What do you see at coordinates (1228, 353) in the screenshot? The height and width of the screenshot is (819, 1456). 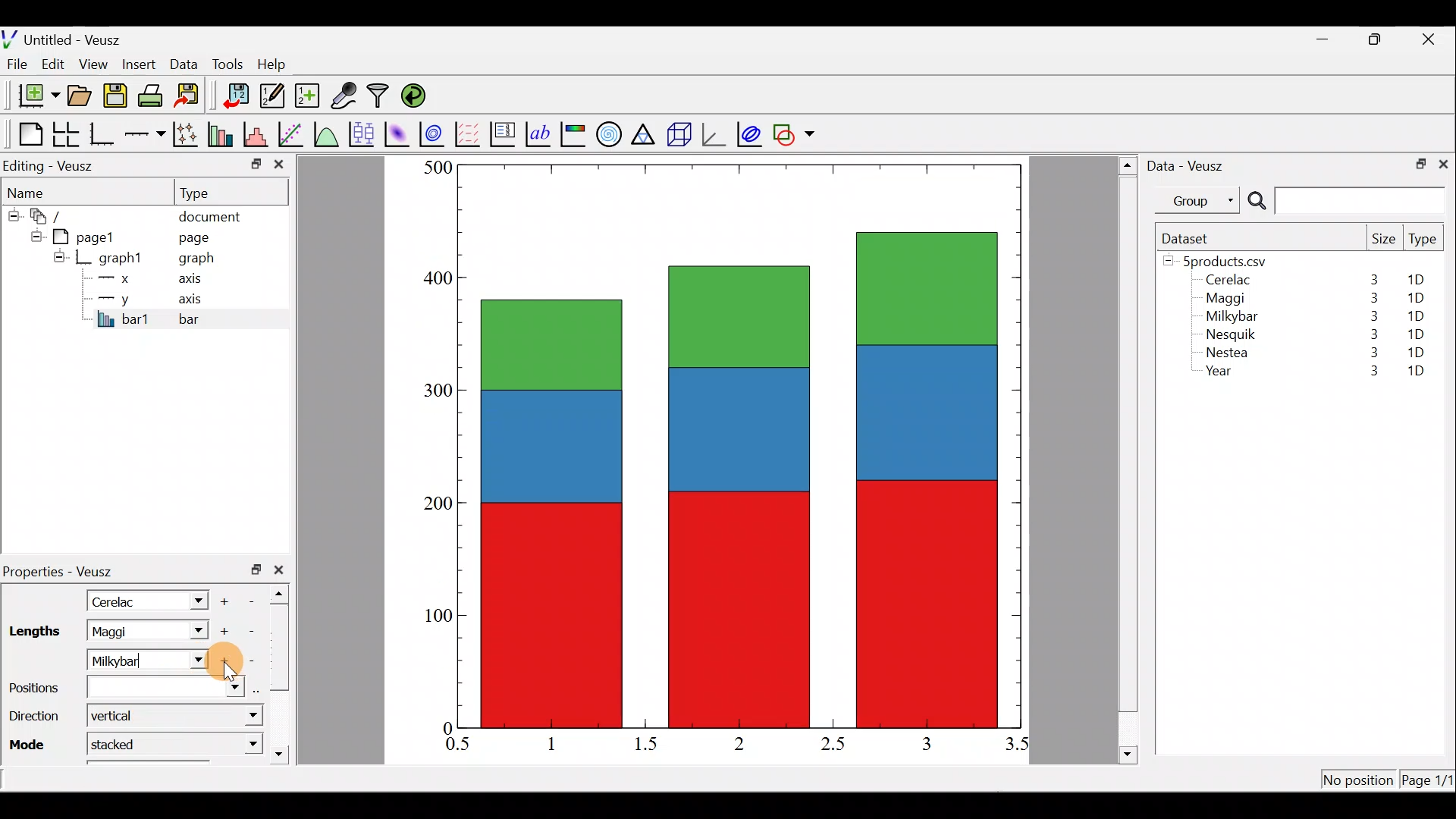 I see `Nestea` at bounding box center [1228, 353].